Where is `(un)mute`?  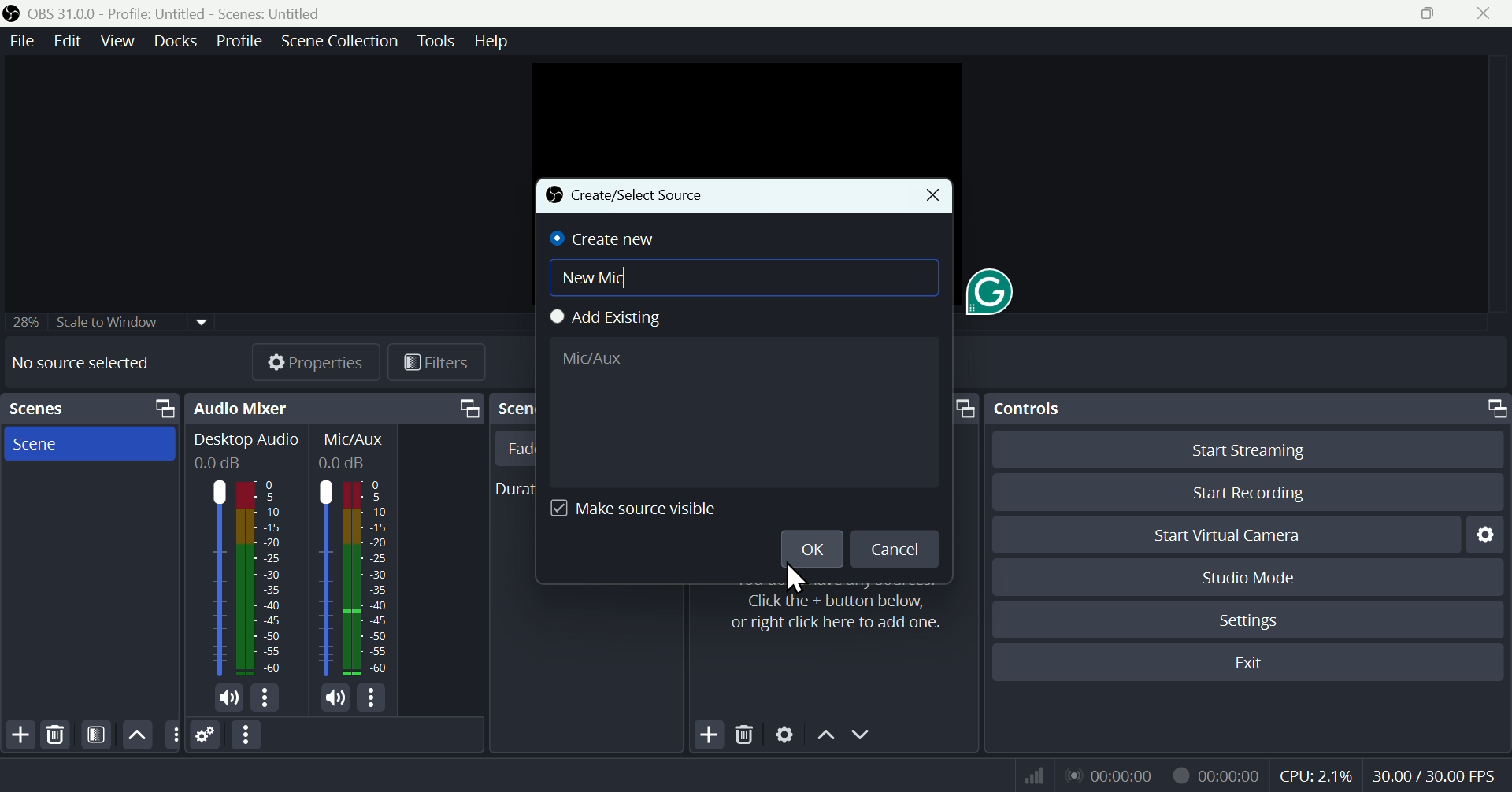
(un)mute is located at coordinates (335, 698).